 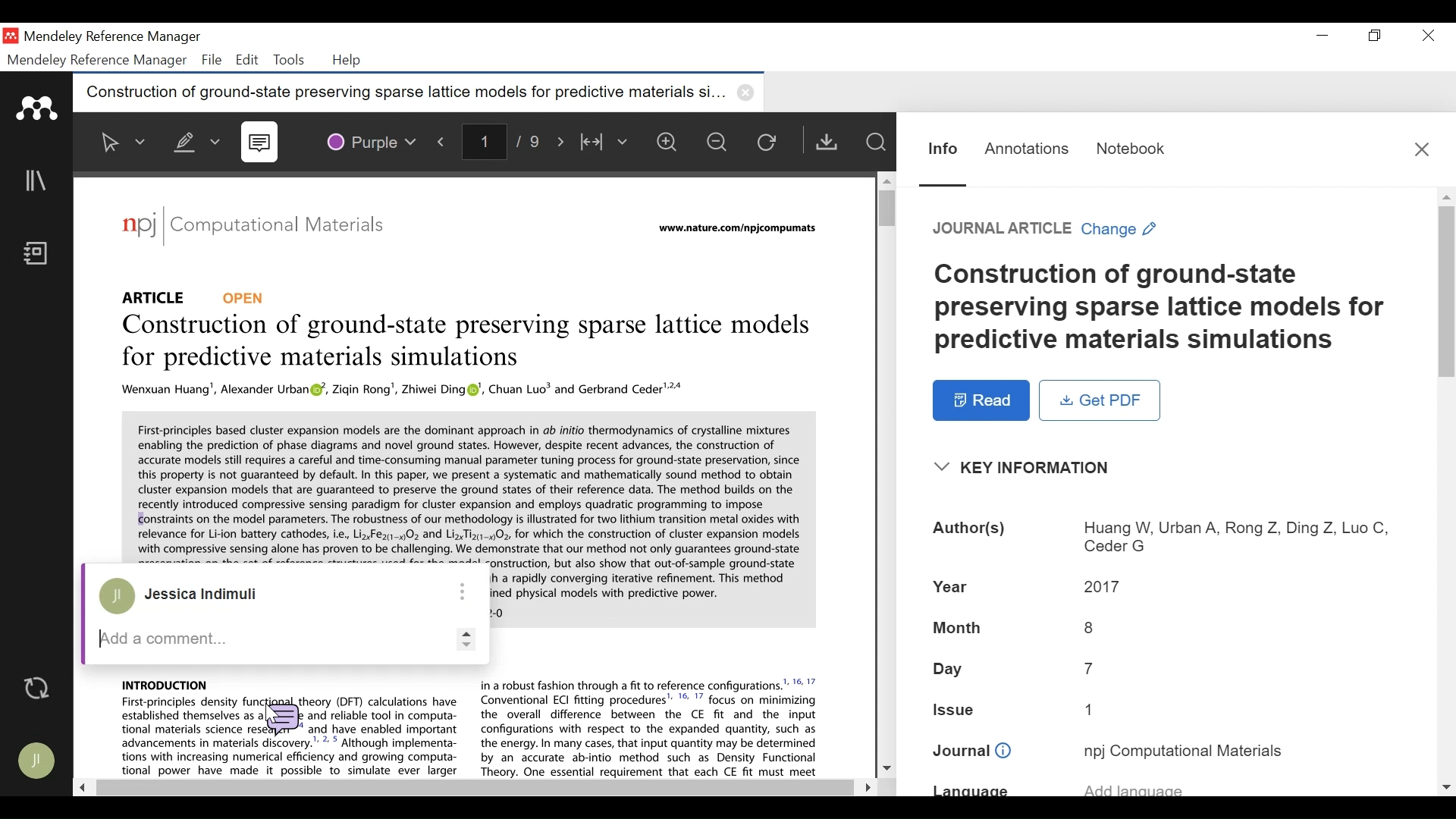 I want to click on URL, so click(x=735, y=230).